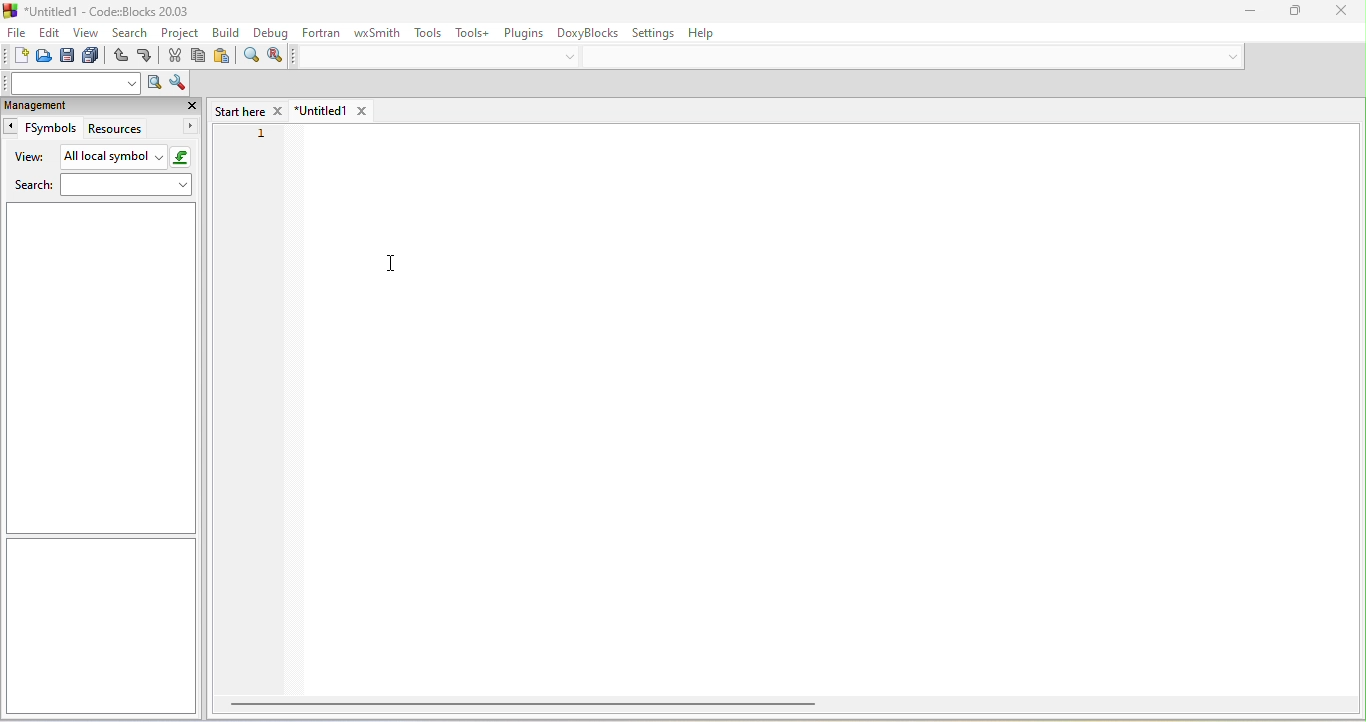 Image resolution: width=1366 pixels, height=722 pixels. I want to click on tools++, so click(476, 31).